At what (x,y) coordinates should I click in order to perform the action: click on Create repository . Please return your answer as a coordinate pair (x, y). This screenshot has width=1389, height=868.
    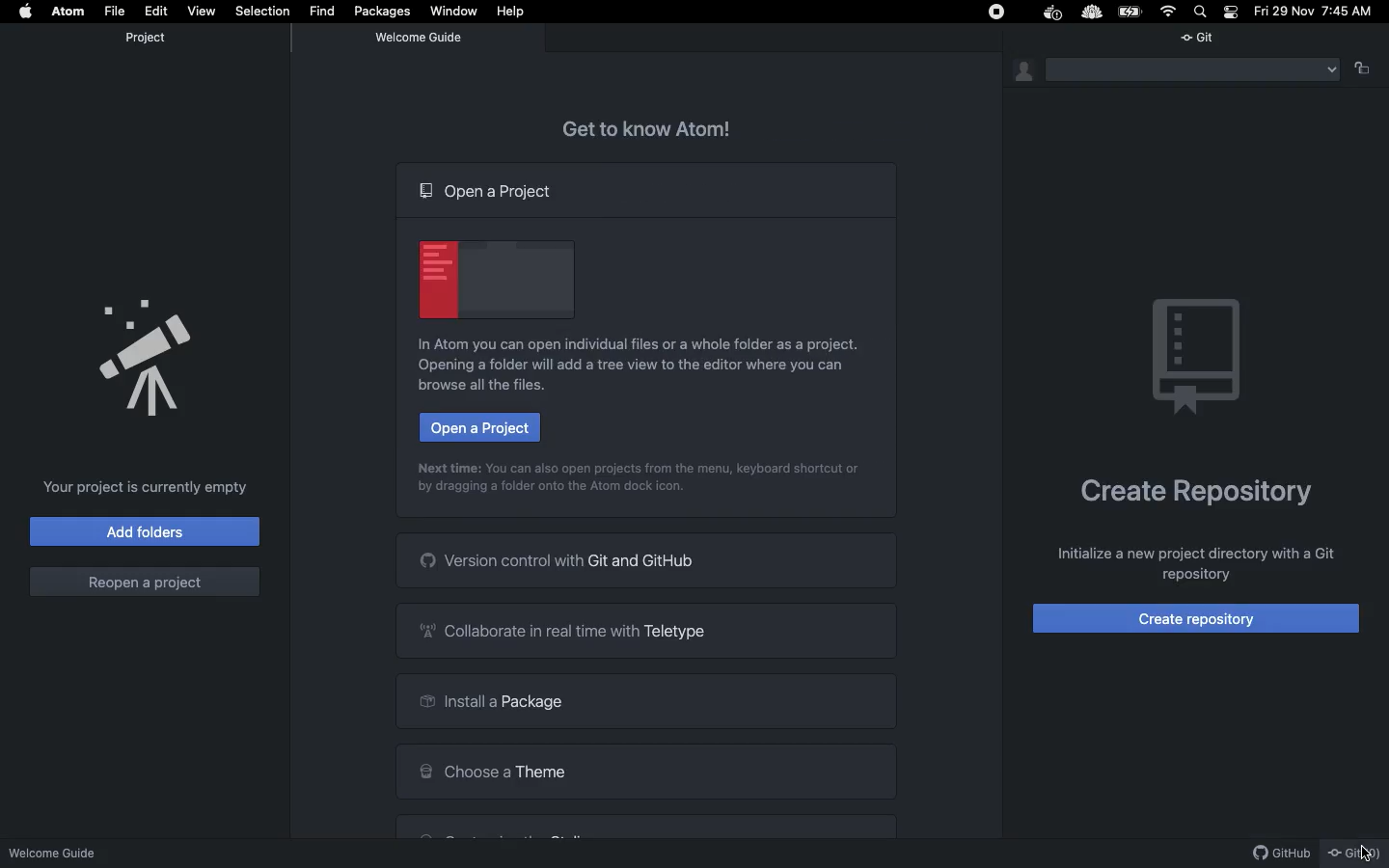
    Looking at the image, I should click on (1201, 616).